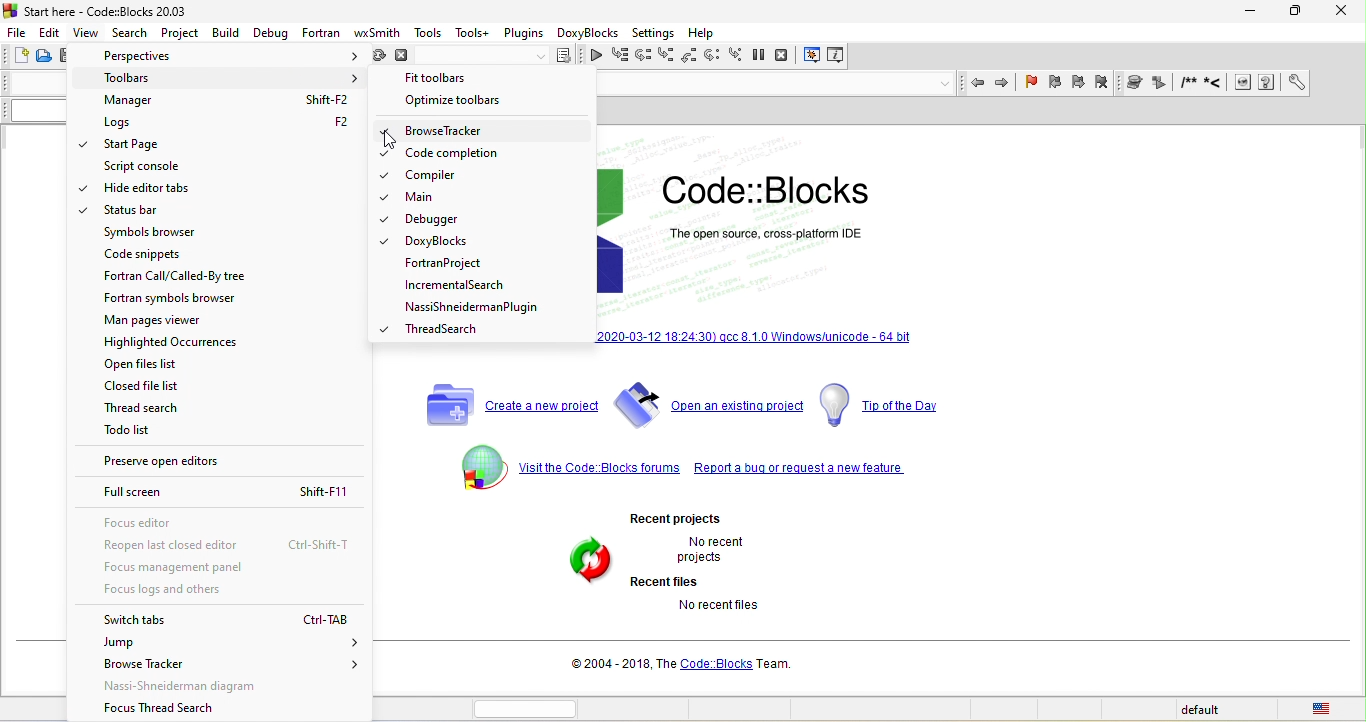 The height and width of the screenshot is (722, 1366). Describe the element at coordinates (1332, 12) in the screenshot. I see `close` at that location.